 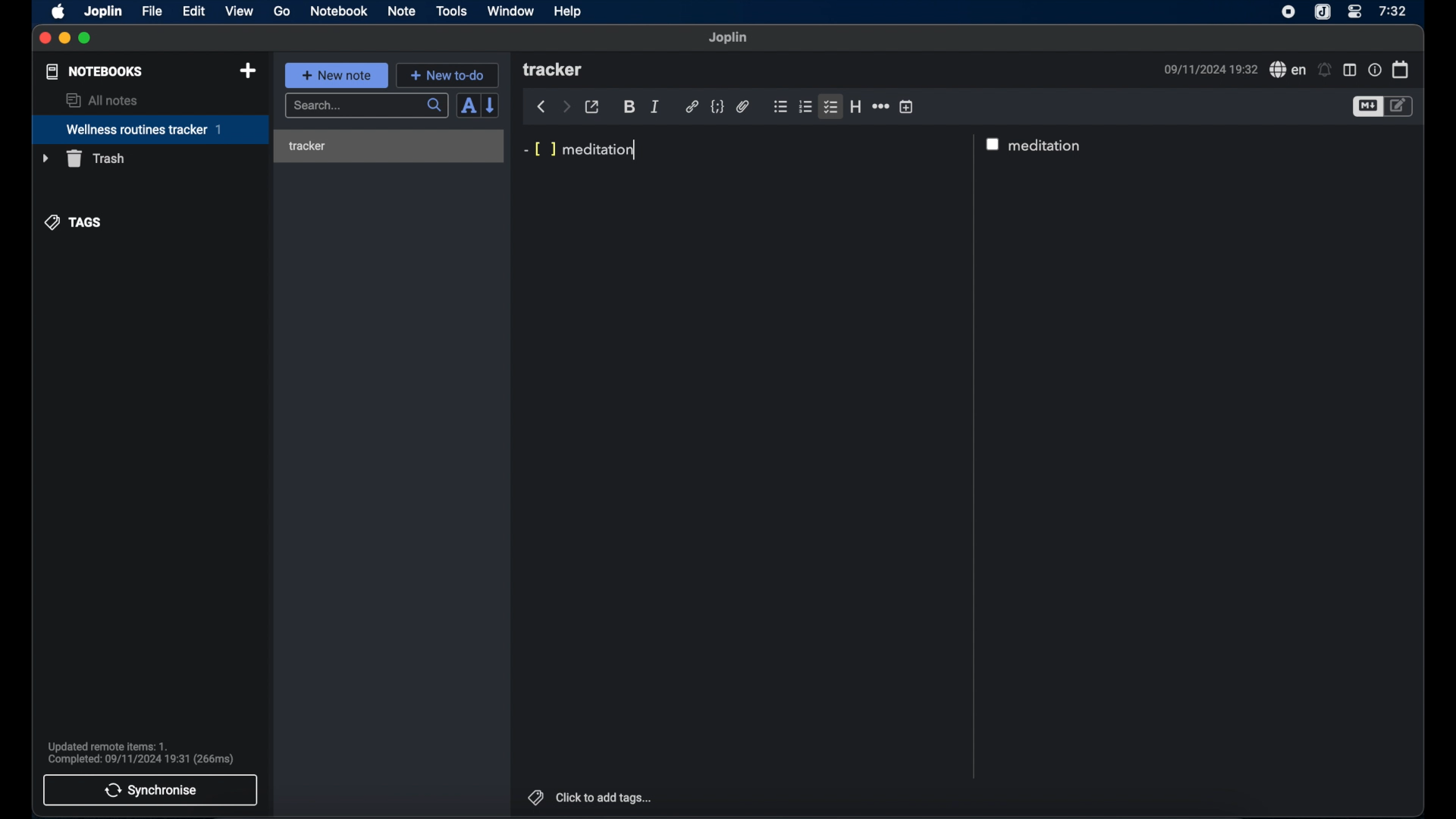 What do you see at coordinates (1285, 69) in the screenshot?
I see `spell check` at bounding box center [1285, 69].